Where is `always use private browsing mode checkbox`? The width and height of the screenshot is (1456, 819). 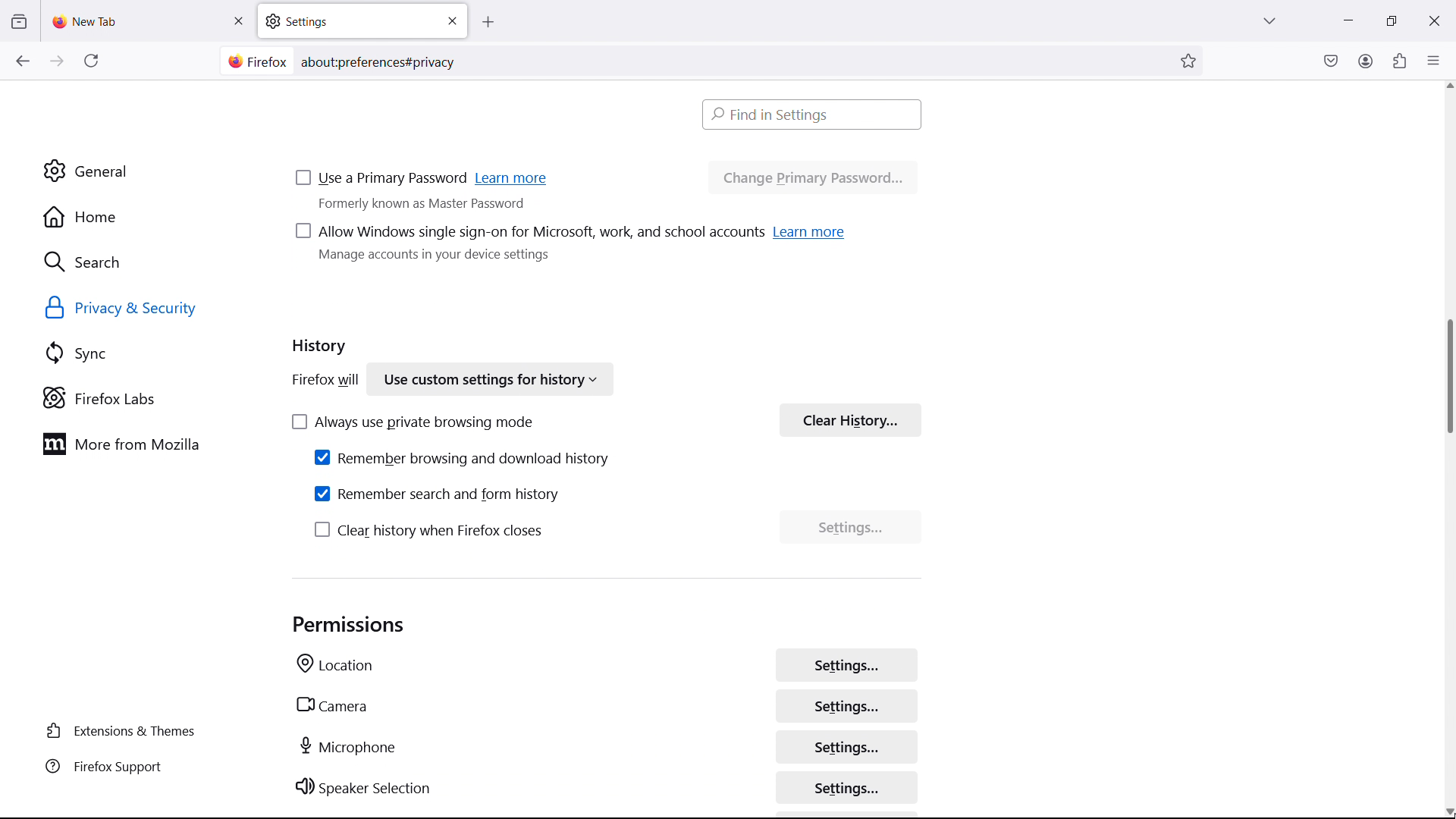 always use private browsing mode checkbox is located at coordinates (412, 419).